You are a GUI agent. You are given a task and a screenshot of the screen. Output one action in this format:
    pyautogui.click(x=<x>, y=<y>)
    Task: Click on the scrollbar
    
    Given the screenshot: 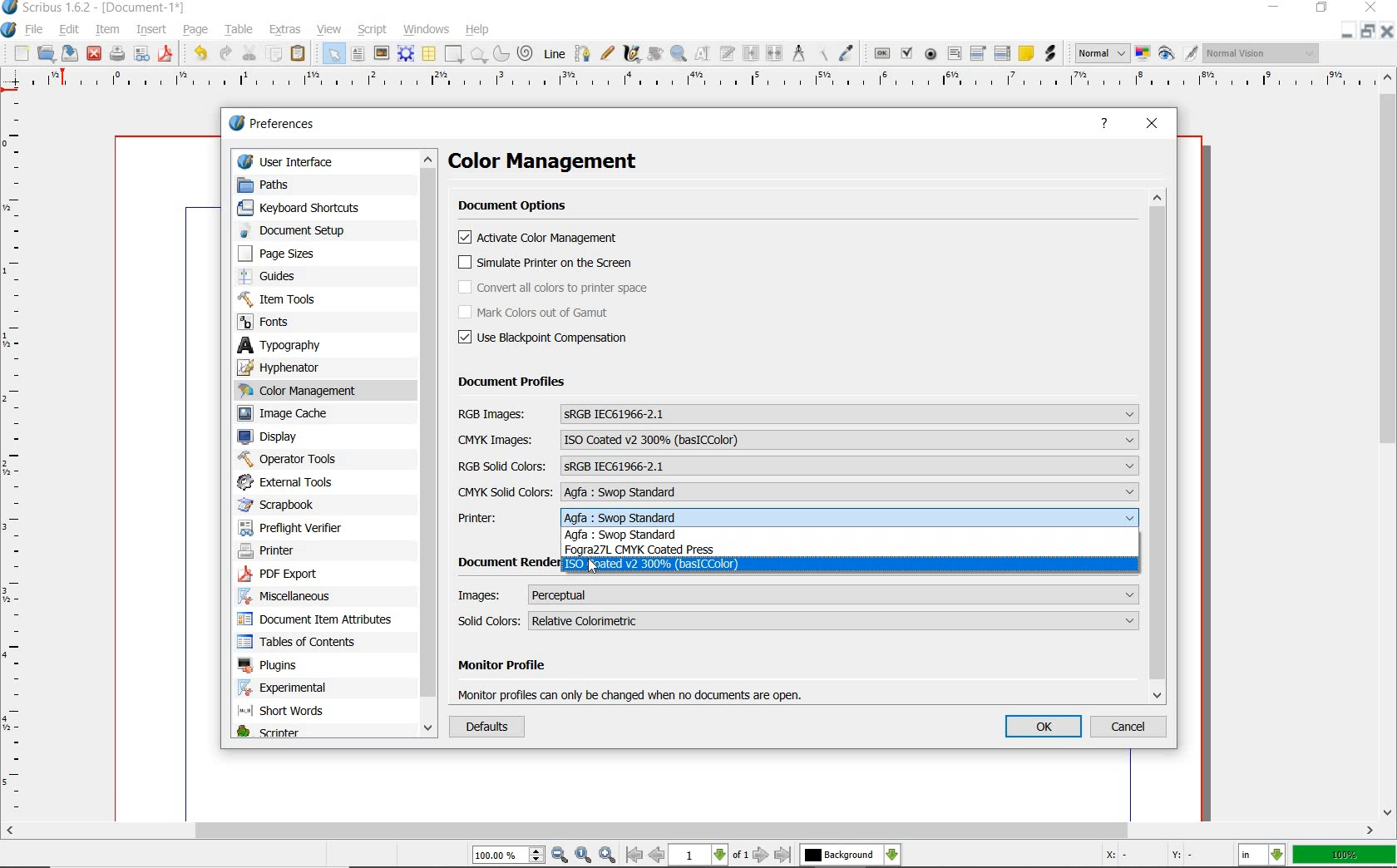 What is the action you would take?
    pyautogui.click(x=1160, y=446)
    